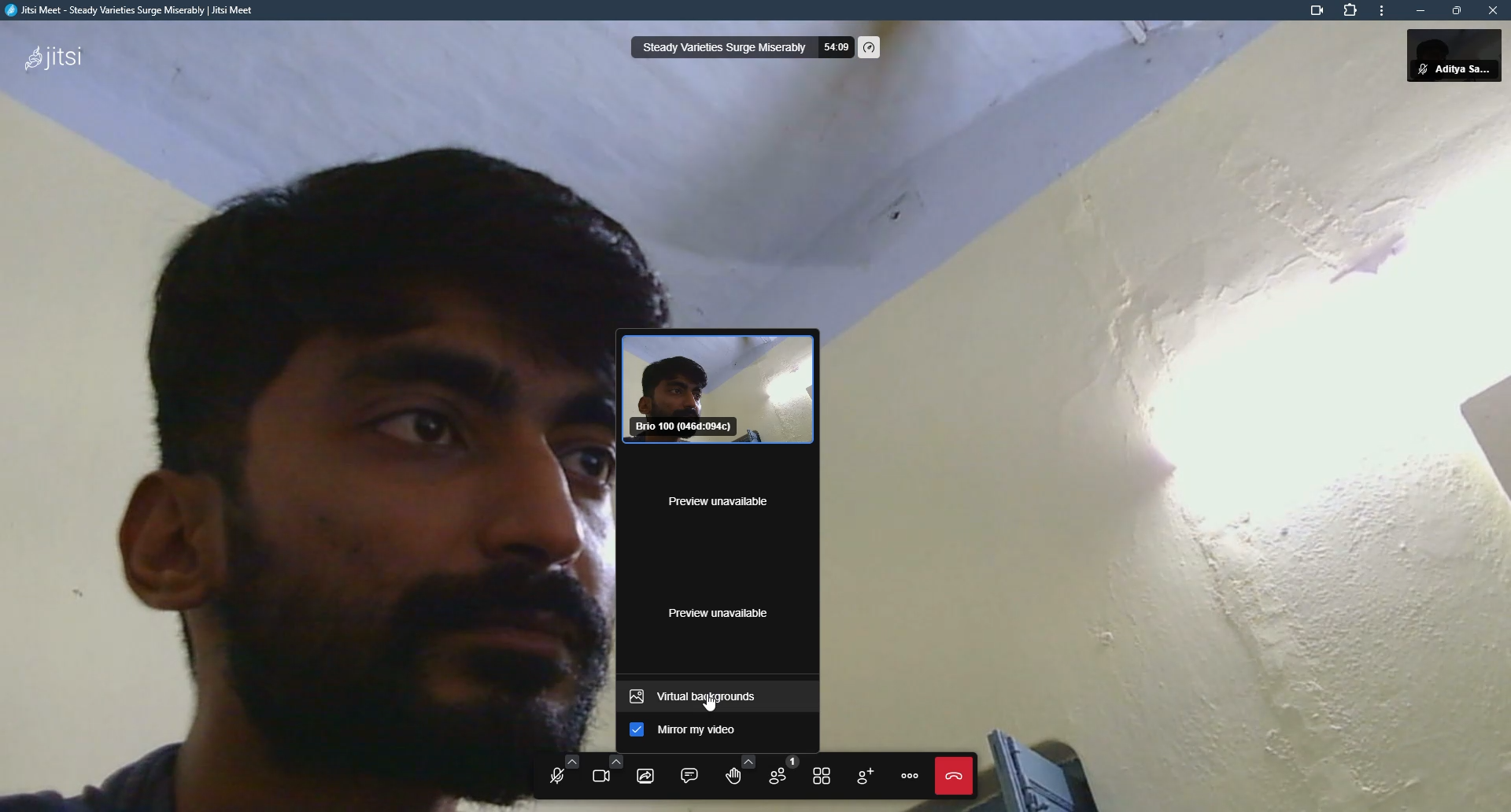  What do you see at coordinates (52, 55) in the screenshot?
I see `jitsi` at bounding box center [52, 55].